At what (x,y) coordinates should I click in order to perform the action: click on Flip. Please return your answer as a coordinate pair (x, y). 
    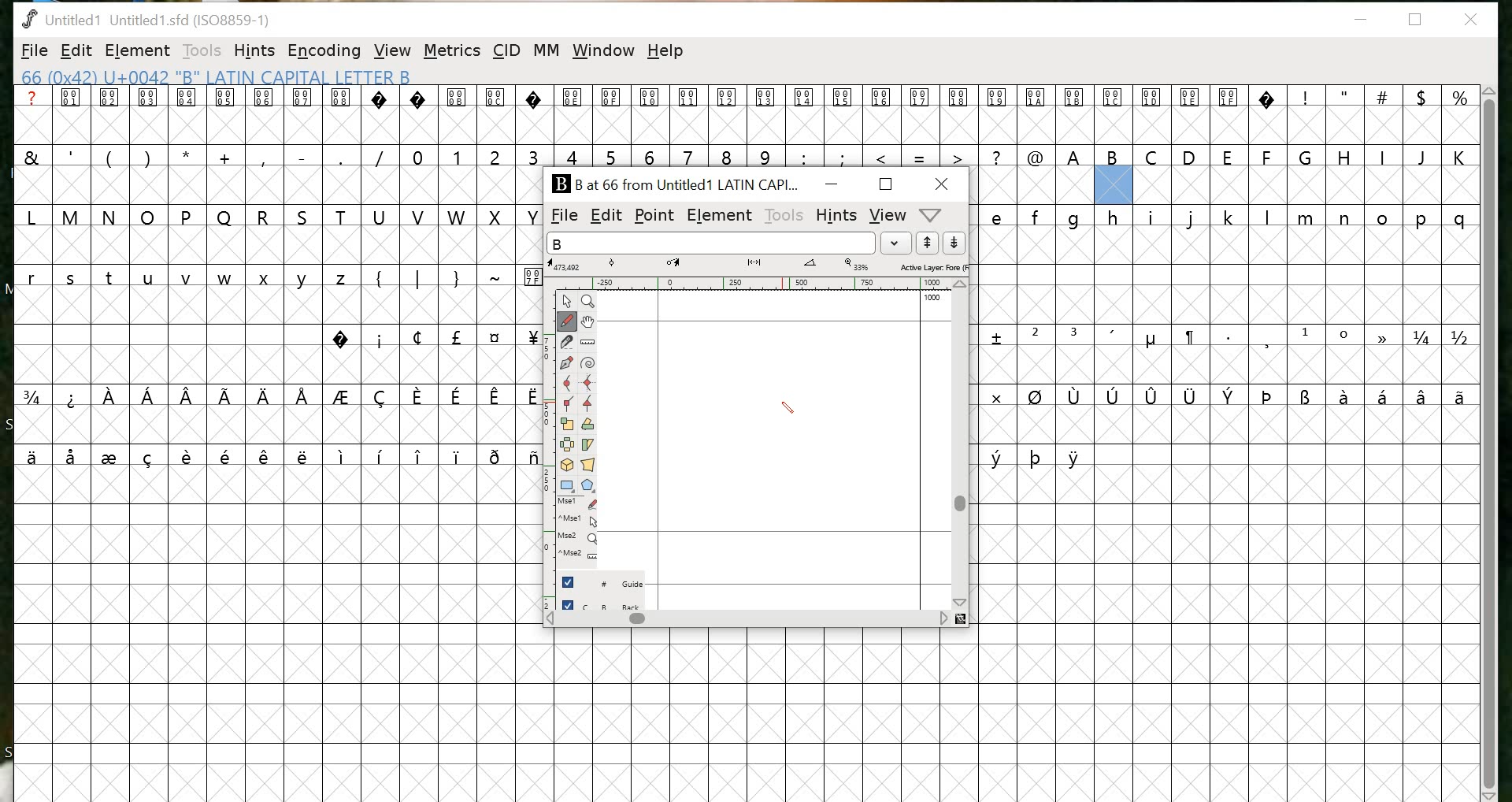
    Looking at the image, I should click on (568, 447).